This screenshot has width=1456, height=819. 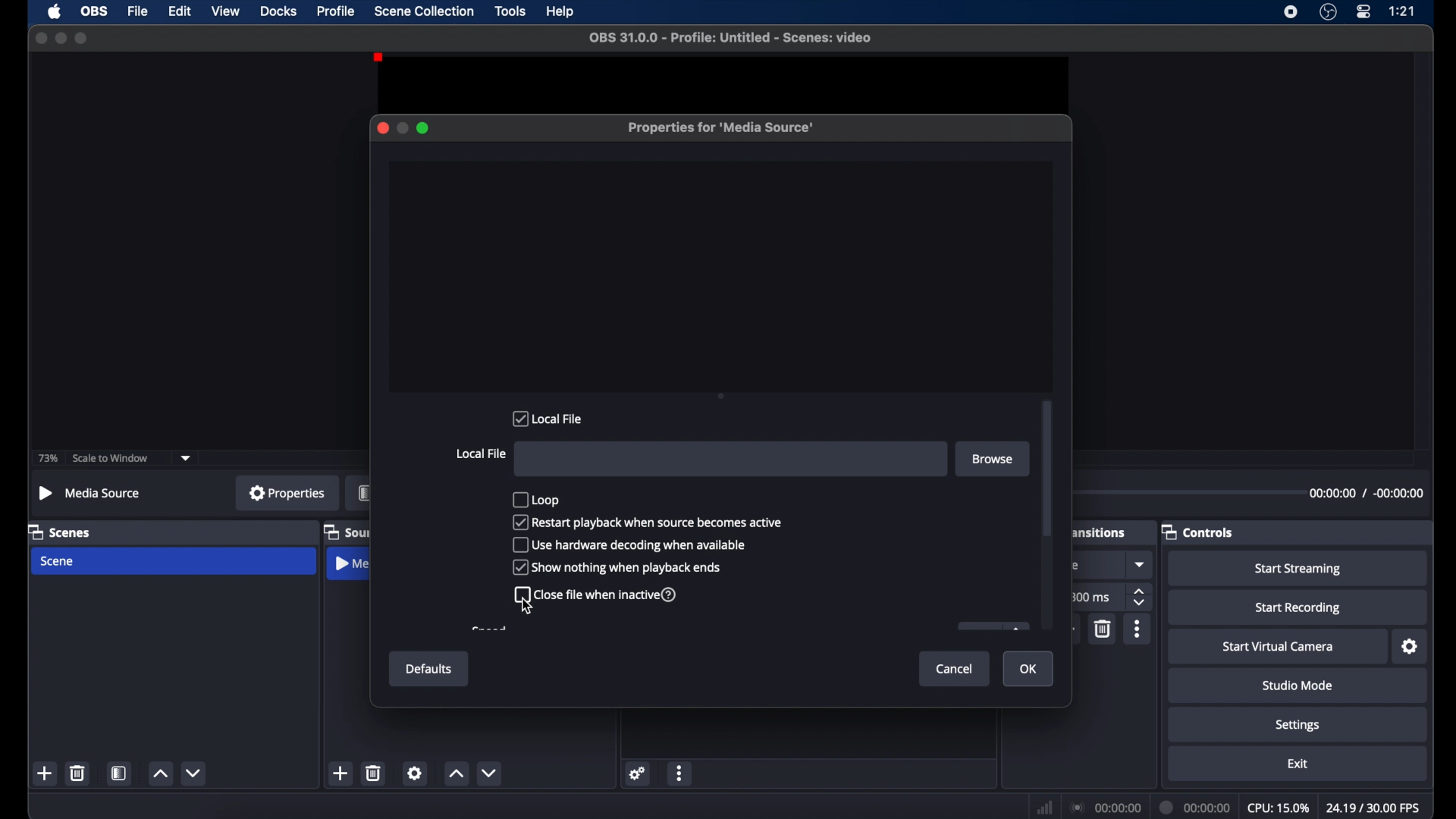 What do you see at coordinates (529, 606) in the screenshot?
I see `cursor` at bounding box center [529, 606].